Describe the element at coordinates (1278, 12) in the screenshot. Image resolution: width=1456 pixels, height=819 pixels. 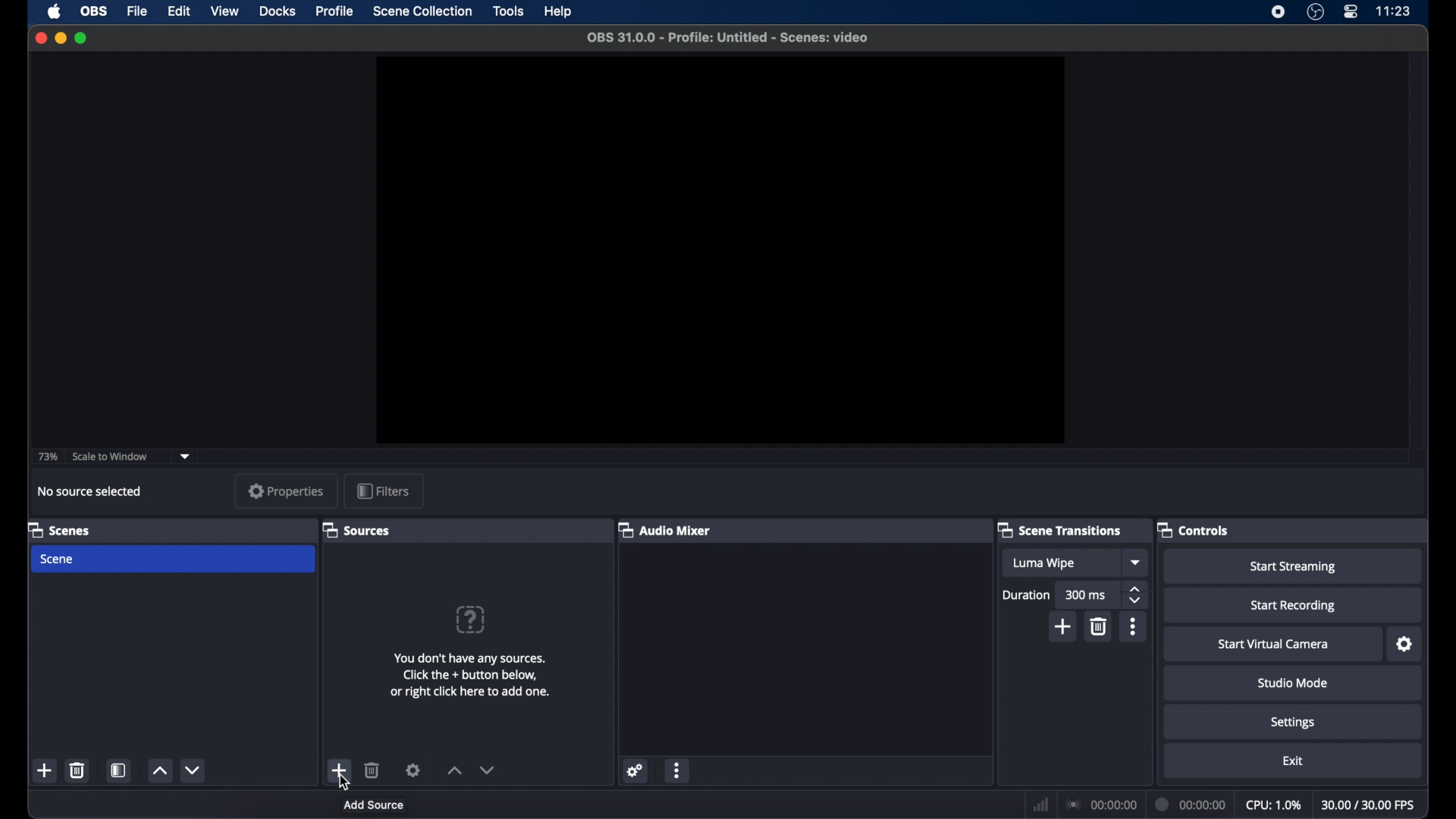
I see `screen recorder icon` at that location.